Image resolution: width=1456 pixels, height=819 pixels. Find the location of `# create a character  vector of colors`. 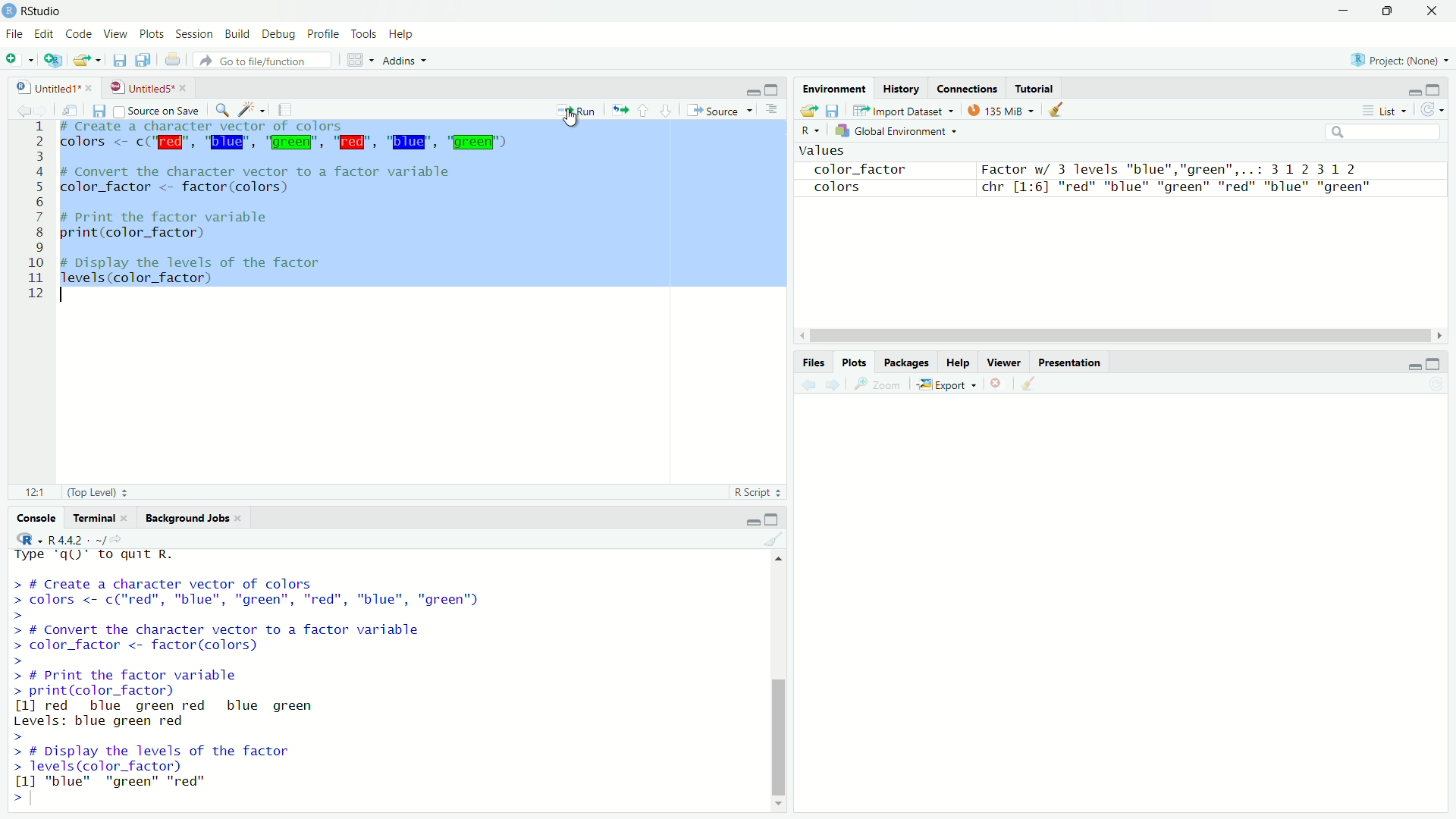

# create a character  vector of colors is located at coordinates (229, 127).